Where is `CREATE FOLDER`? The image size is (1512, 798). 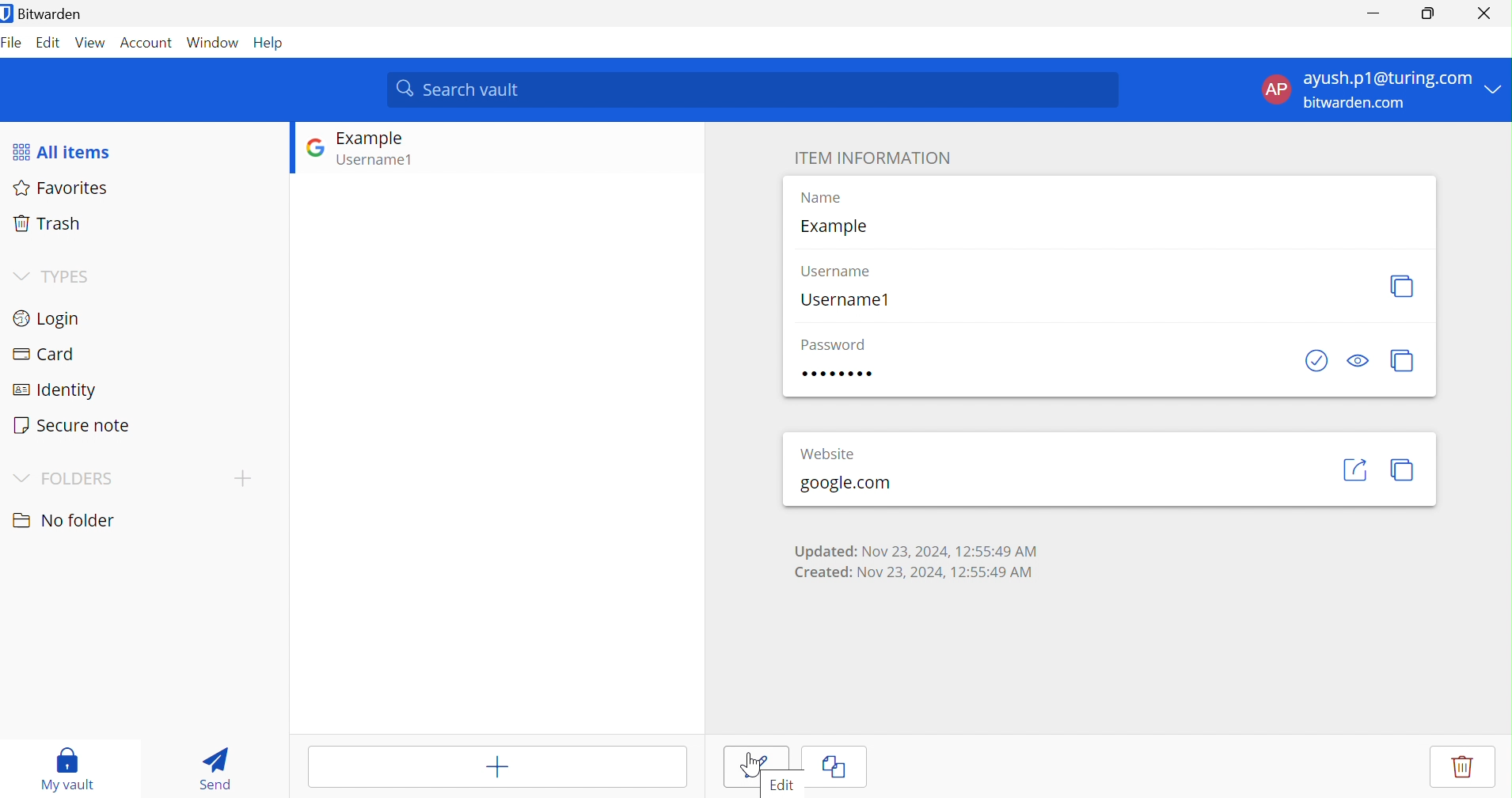 CREATE FOLDER is located at coordinates (246, 481).